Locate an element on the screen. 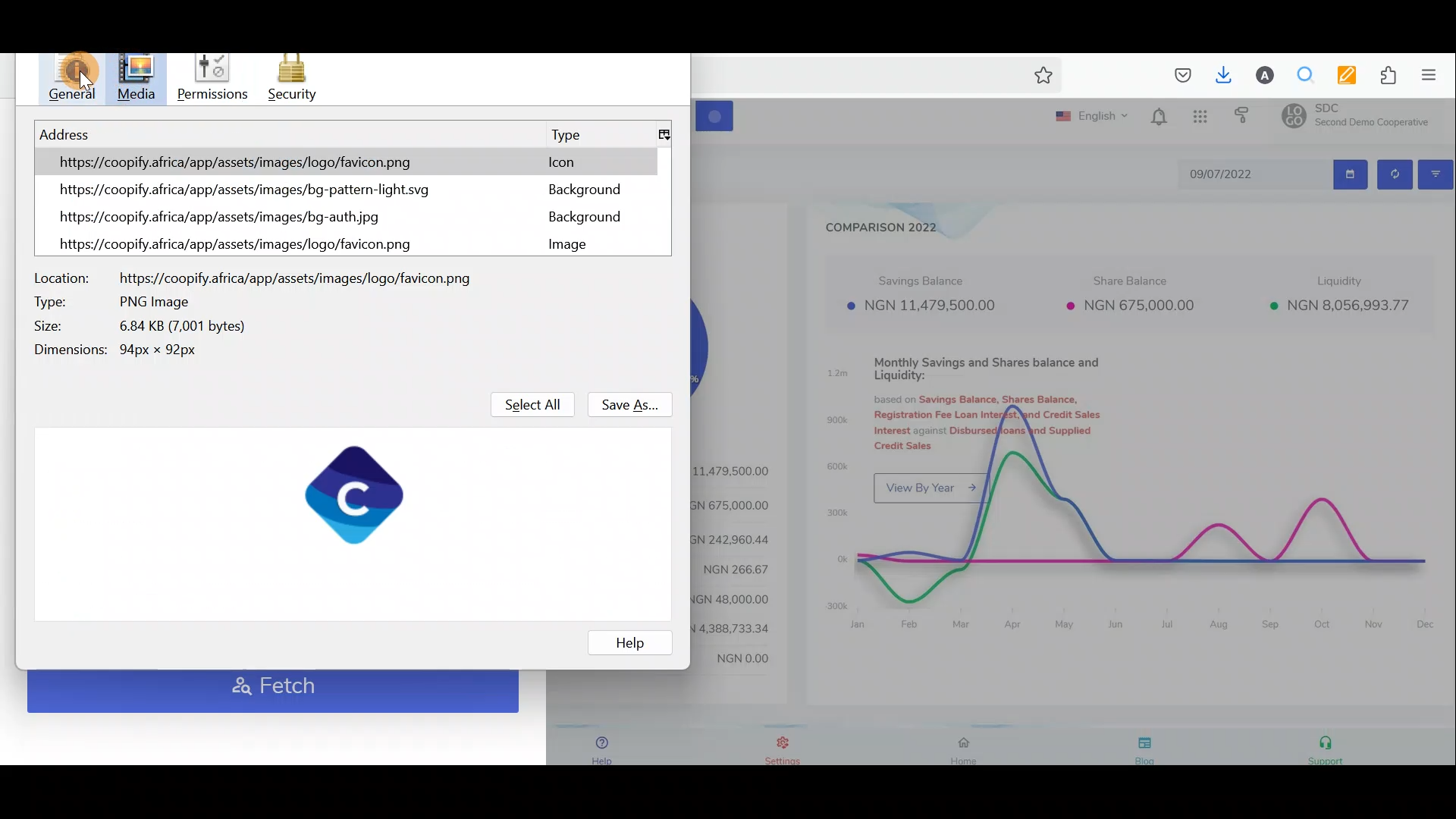 Image resolution: width=1456 pixels, height=819 pixels. Save to pocket is located at coordinates (1177, 76).